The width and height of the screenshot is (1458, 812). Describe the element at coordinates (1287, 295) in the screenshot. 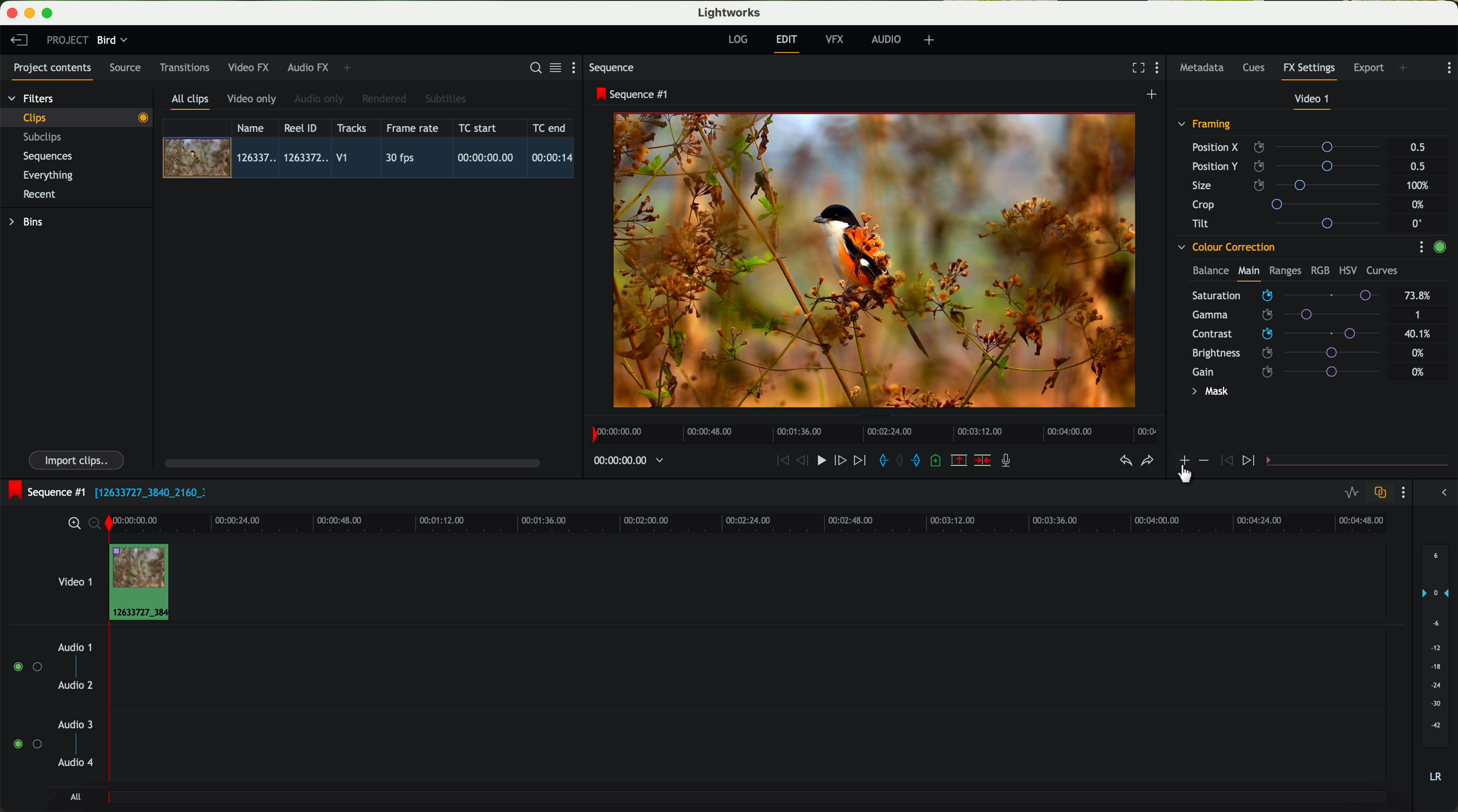

I see `mouse up (saturation)` at that location.